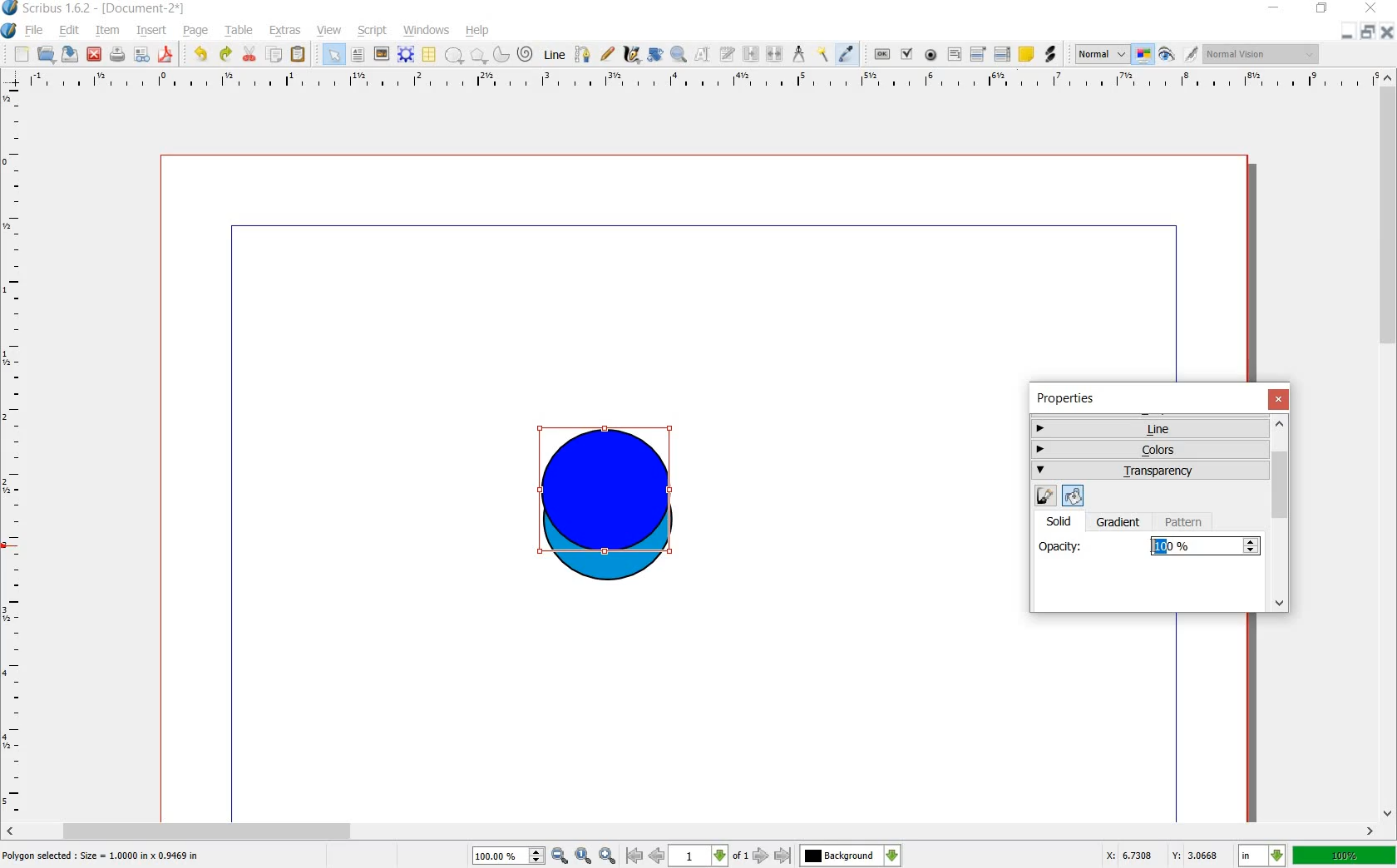 Image resolution: width=1397 pixels, height=868 pixels. I want to click on in, so click(1261, 856).